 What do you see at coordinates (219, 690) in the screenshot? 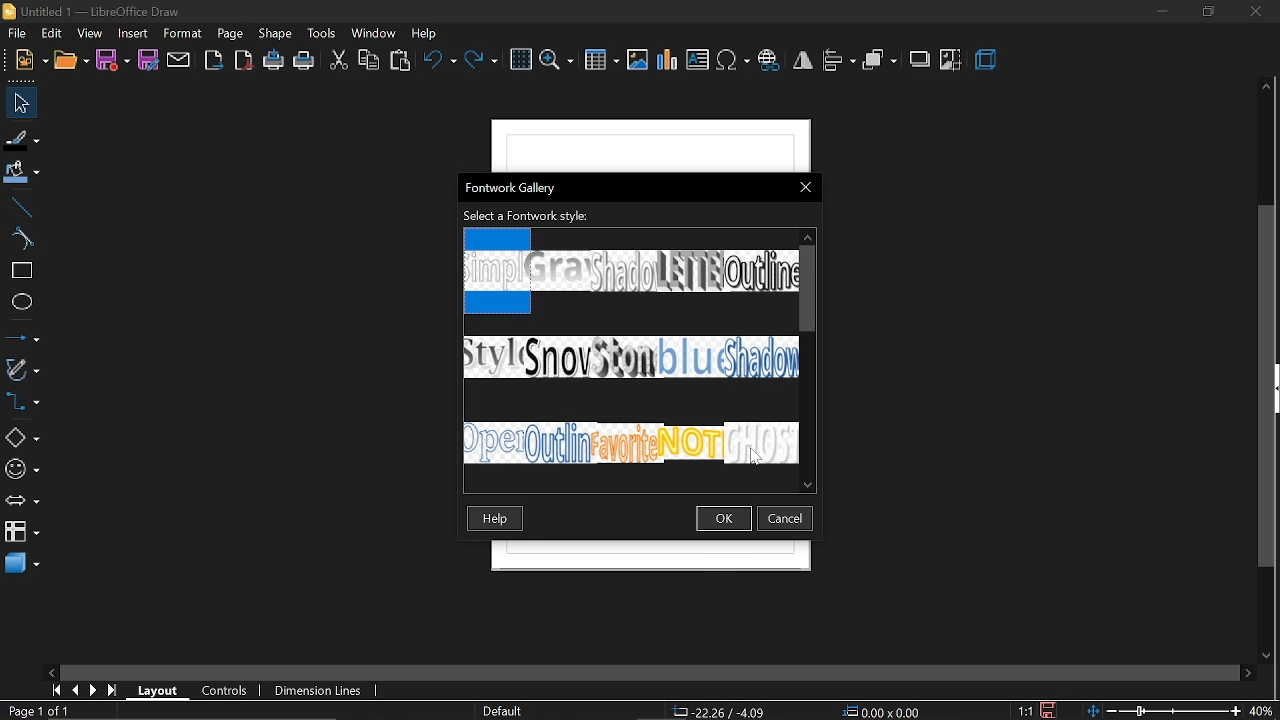
I see `controls` at bounding box center [219, 690].